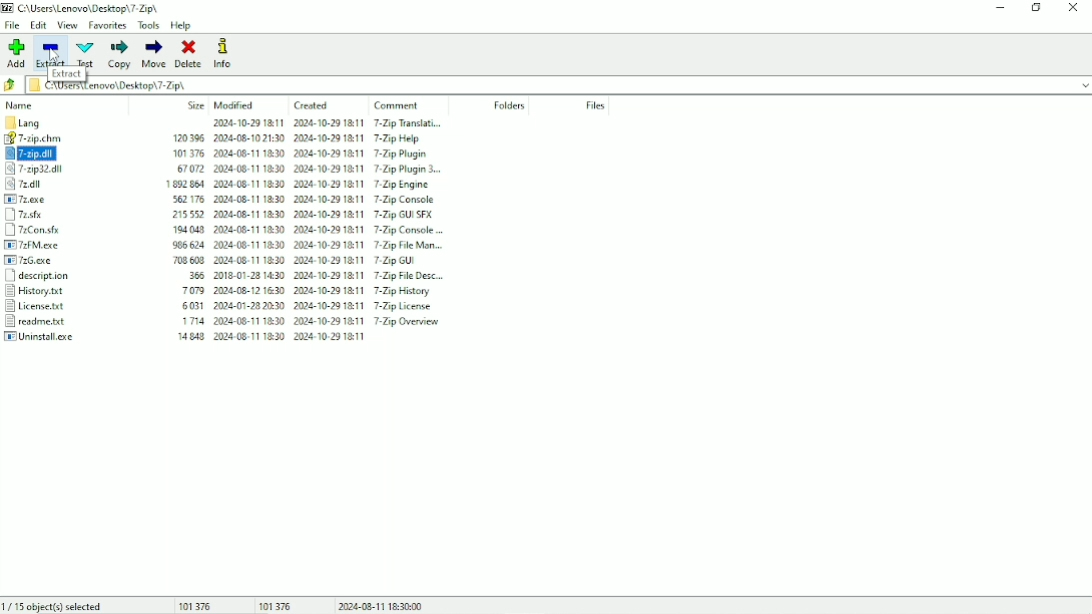  I want to click on 366 2018-01-28 1430 2024-10-29 1&11 7-Zip File Desc..., so click(308, 276).